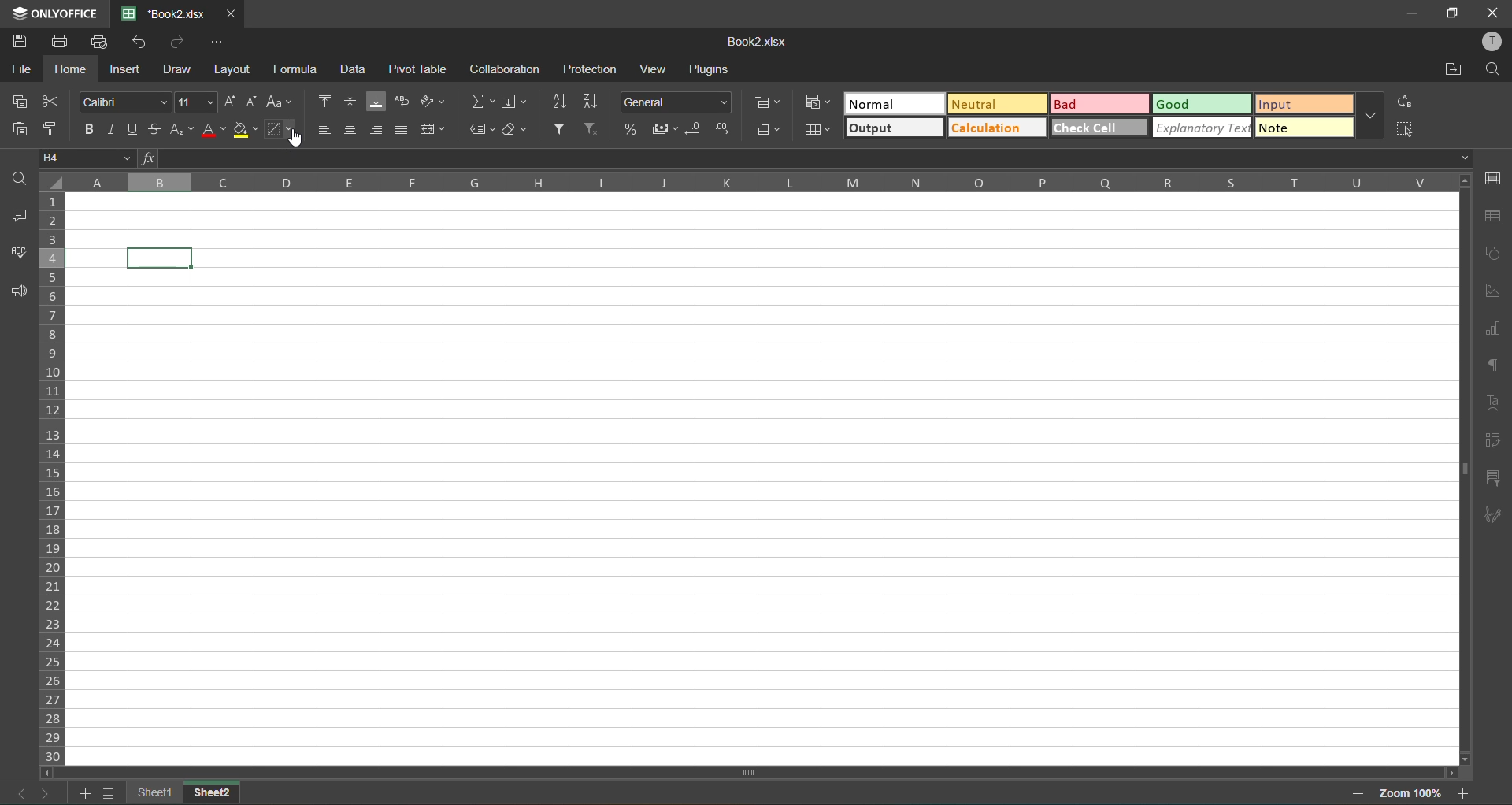 Image resolution: width=1512 pixels, height=805 pixels. I want to click on strikethrough, so click(156, 129).